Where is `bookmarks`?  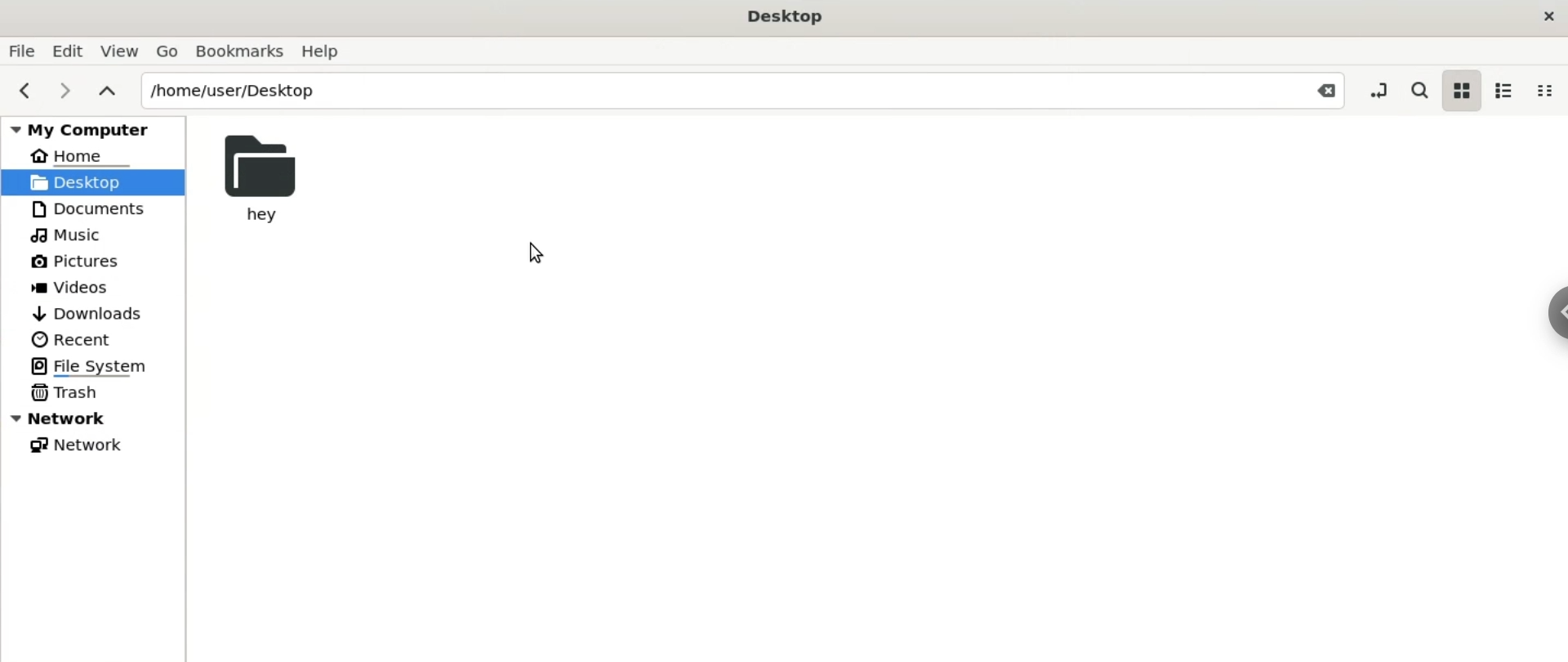 bookmarks is located at coordinates (243, 50).